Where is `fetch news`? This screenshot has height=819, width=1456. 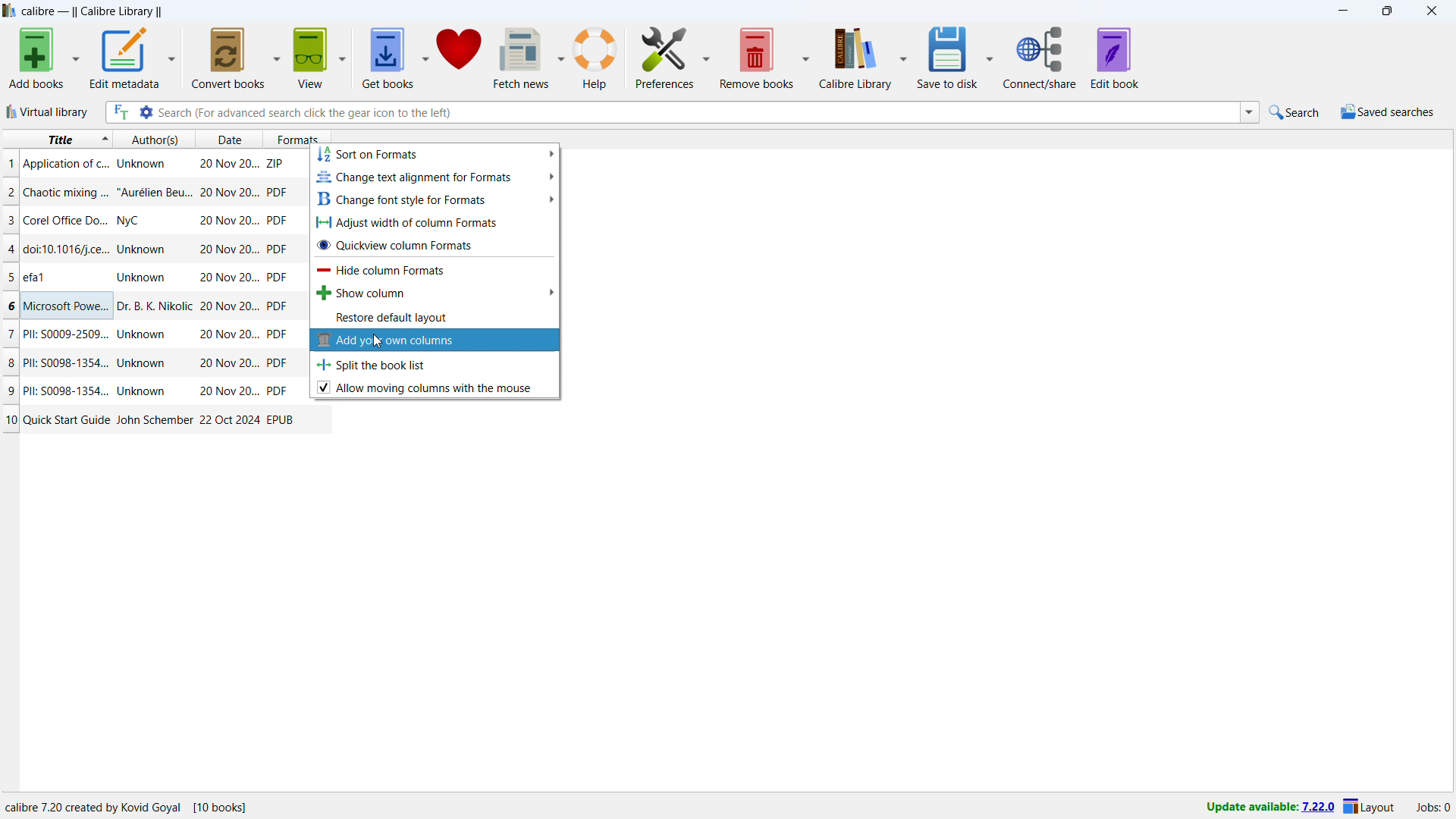
fetch news is located at coordinates (522, 58).